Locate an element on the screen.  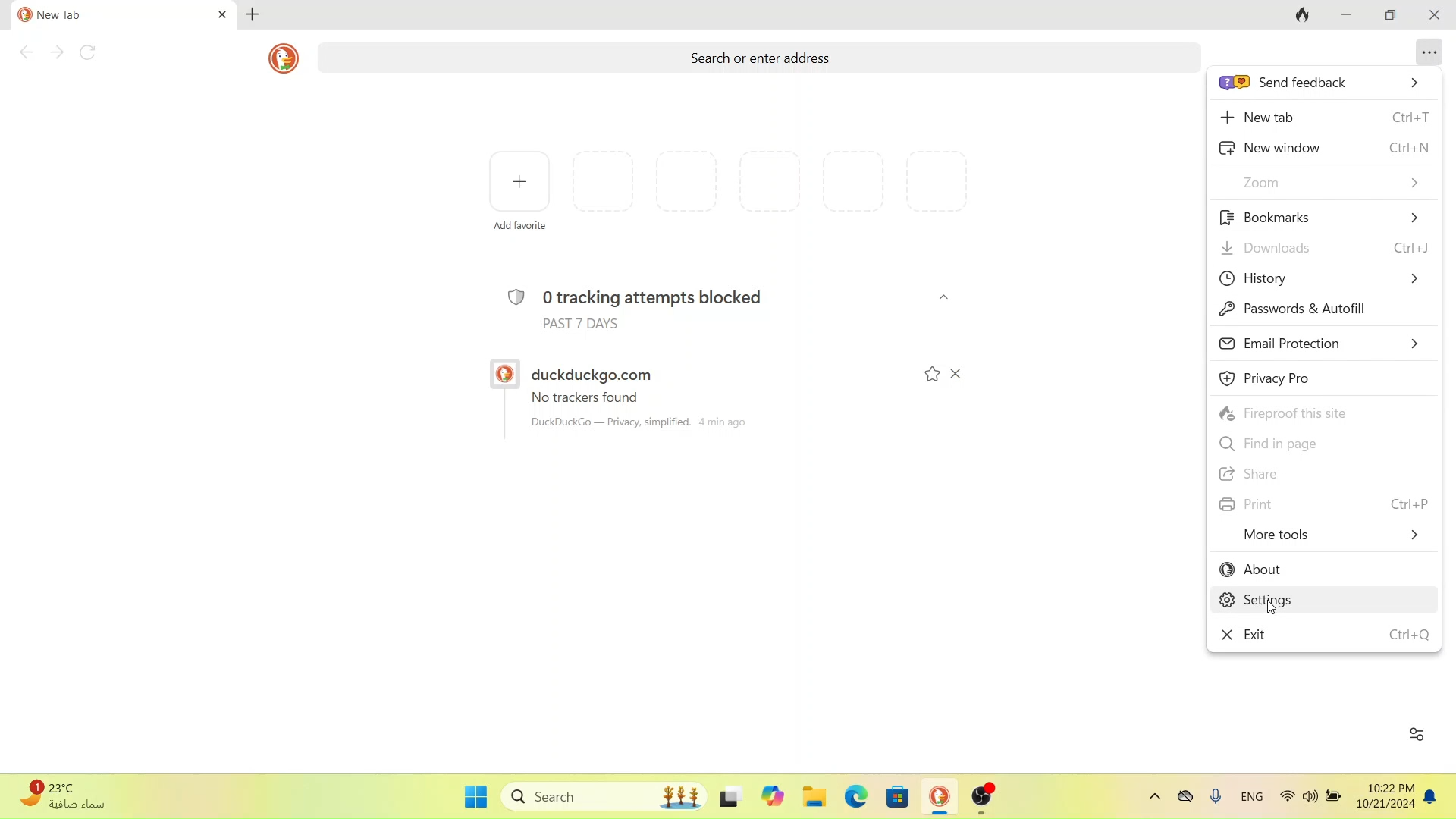
notifications is located at coordinates (1432, 800).